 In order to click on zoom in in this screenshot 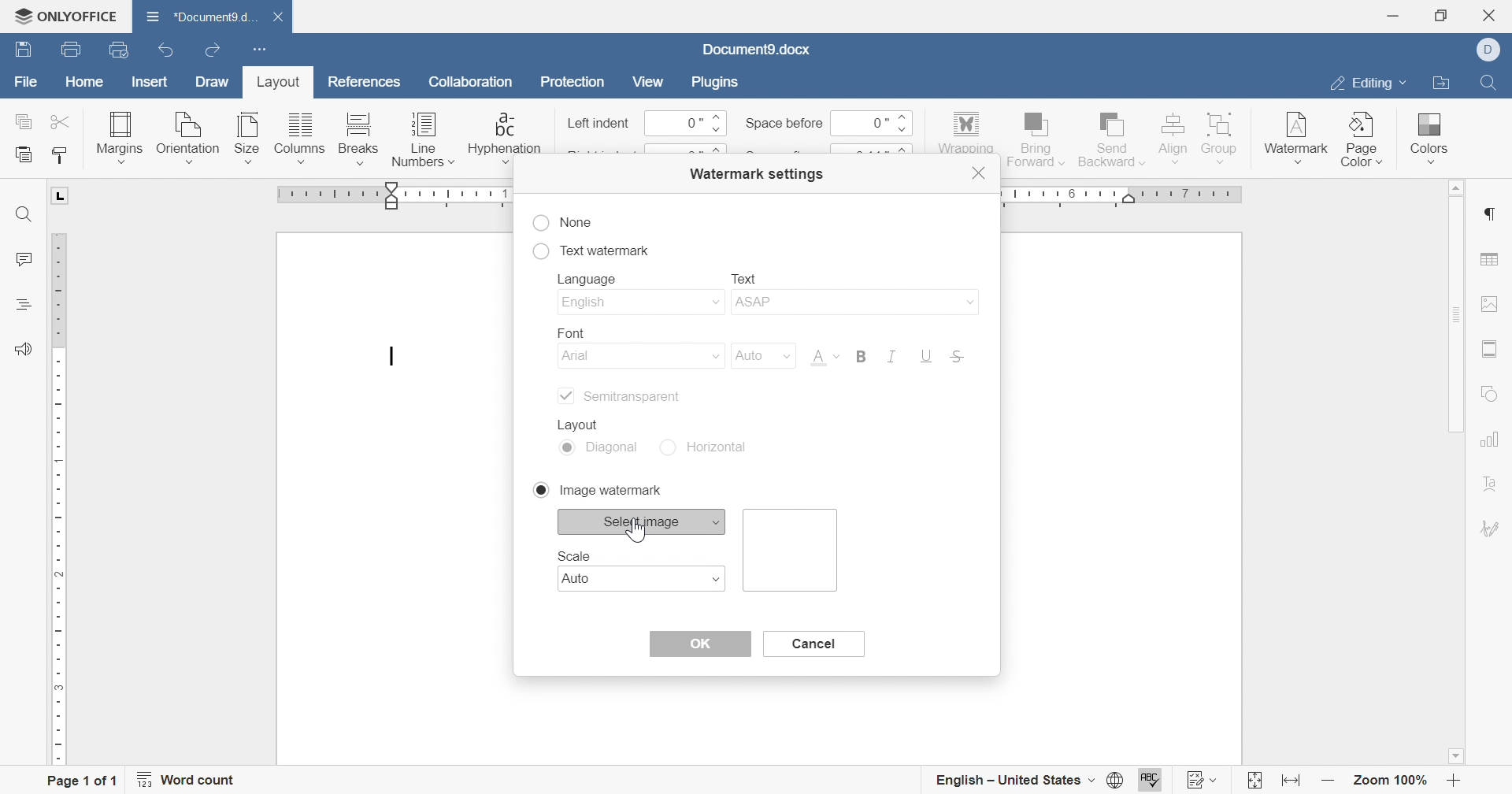, I will do `click(1454, 783)`.